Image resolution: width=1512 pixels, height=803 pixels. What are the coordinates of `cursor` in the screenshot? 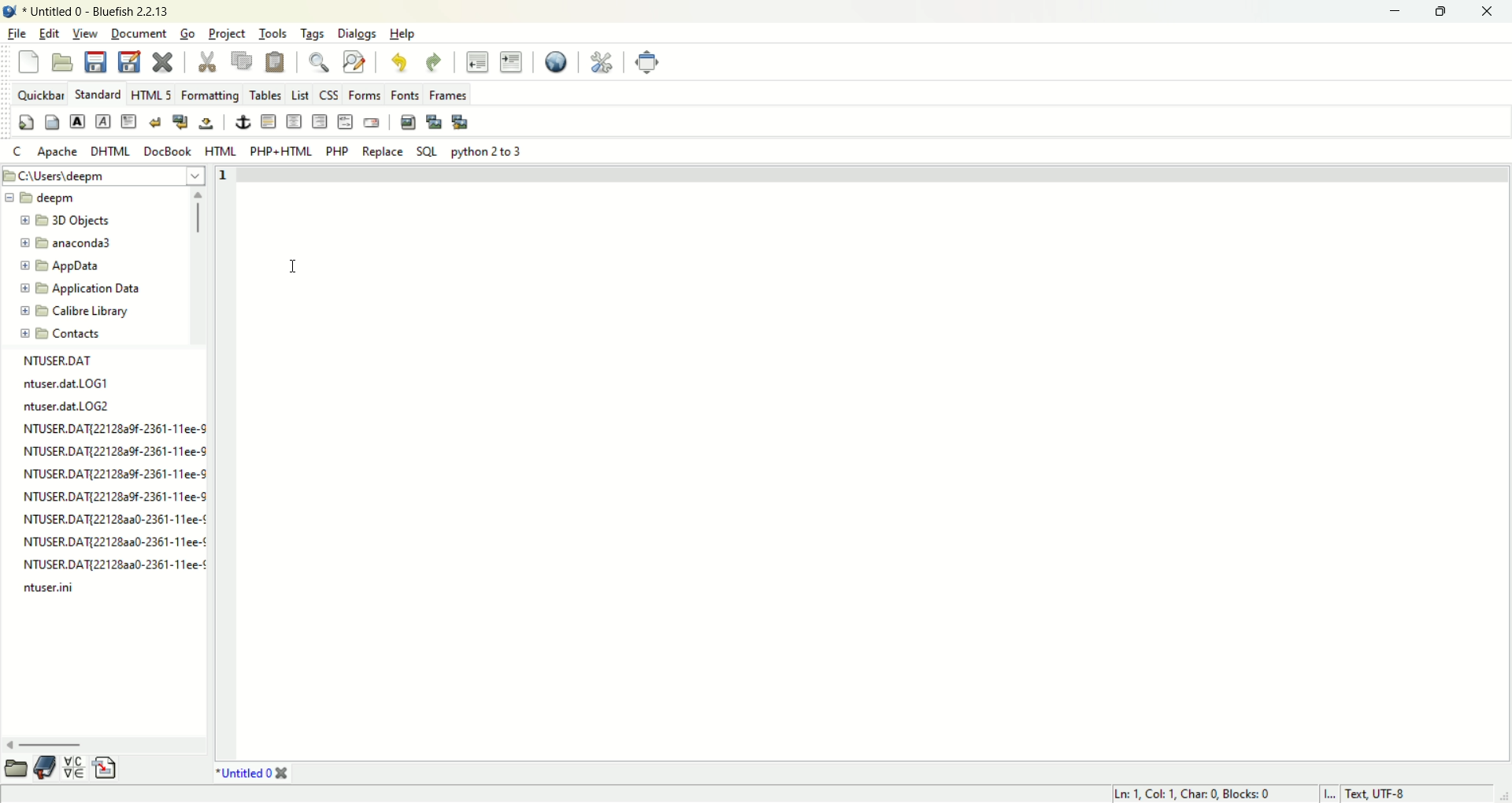 It's located at (290, 267).